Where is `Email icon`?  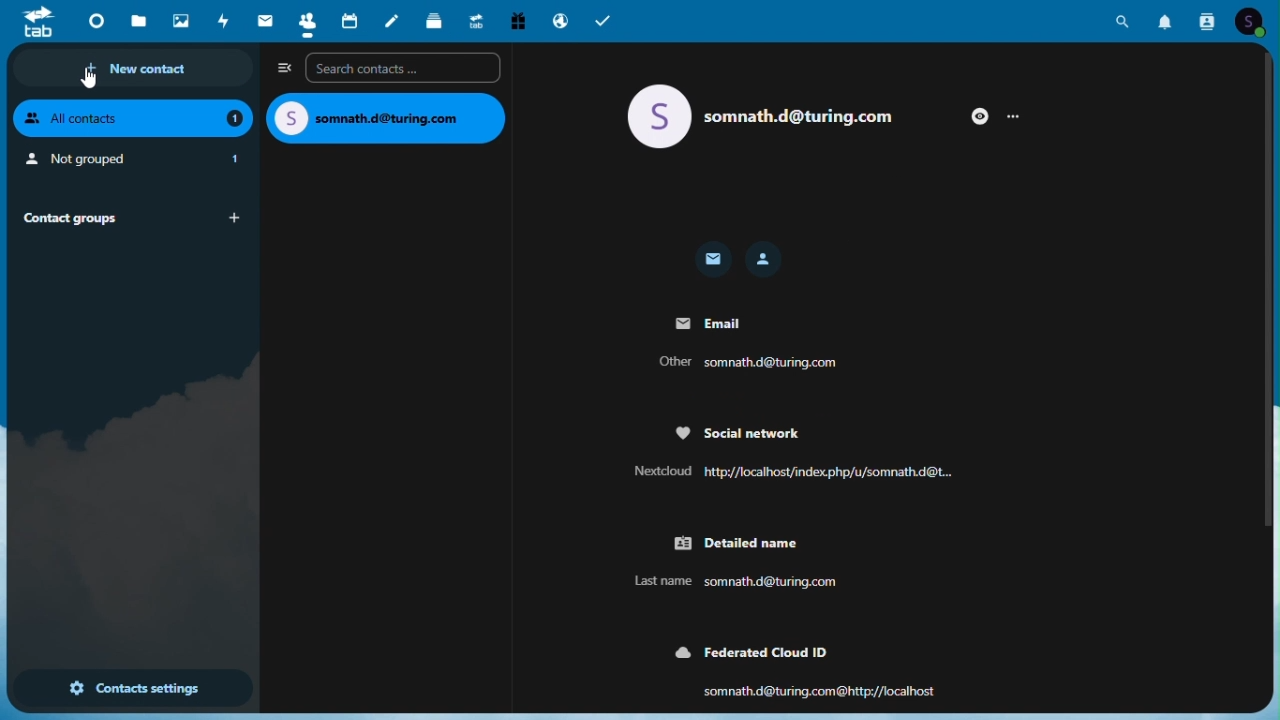 Email icon is located at coordinates (715, 259).